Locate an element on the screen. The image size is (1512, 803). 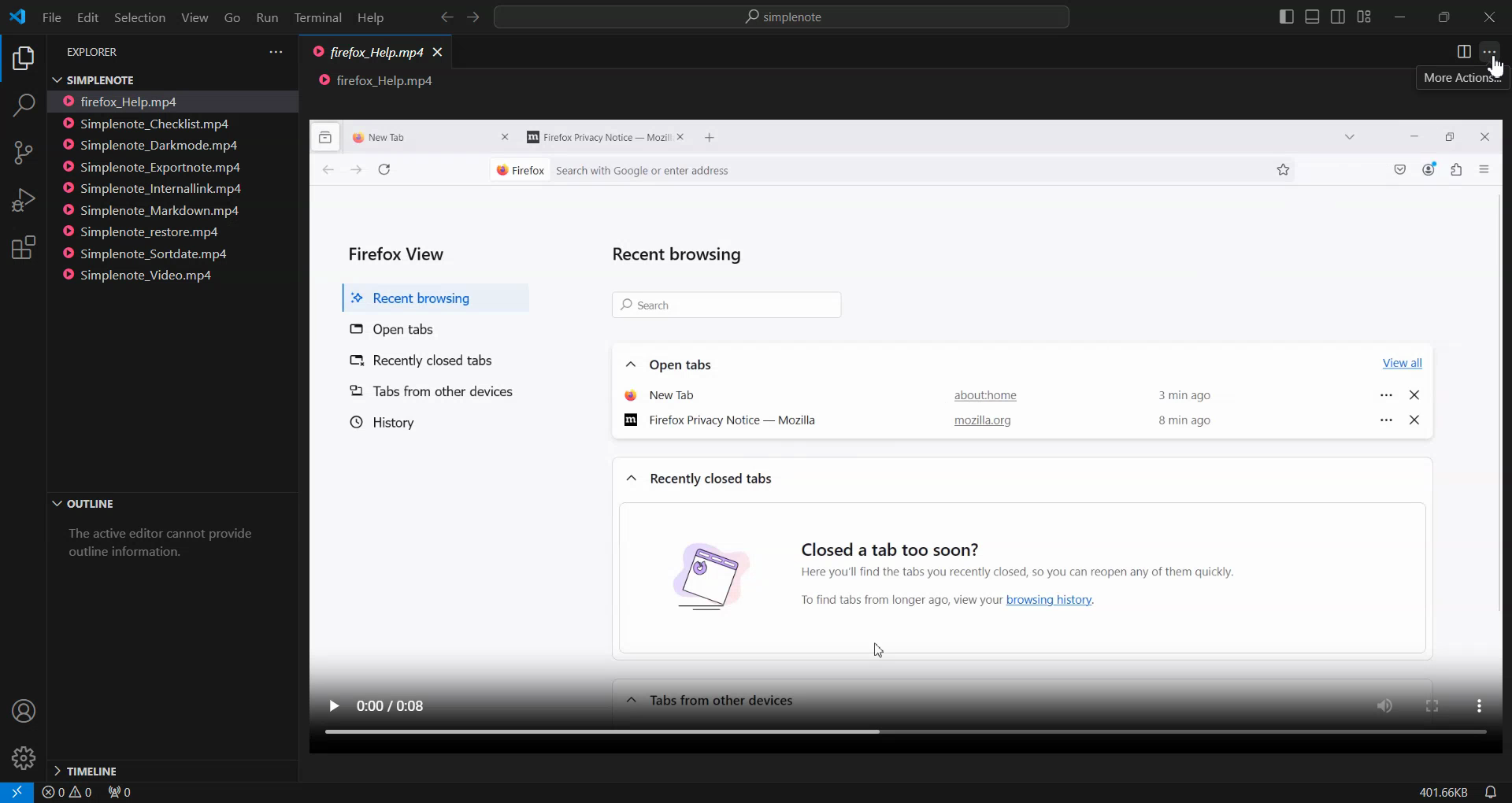
mozilla.org is located at coordinates (982, 423).